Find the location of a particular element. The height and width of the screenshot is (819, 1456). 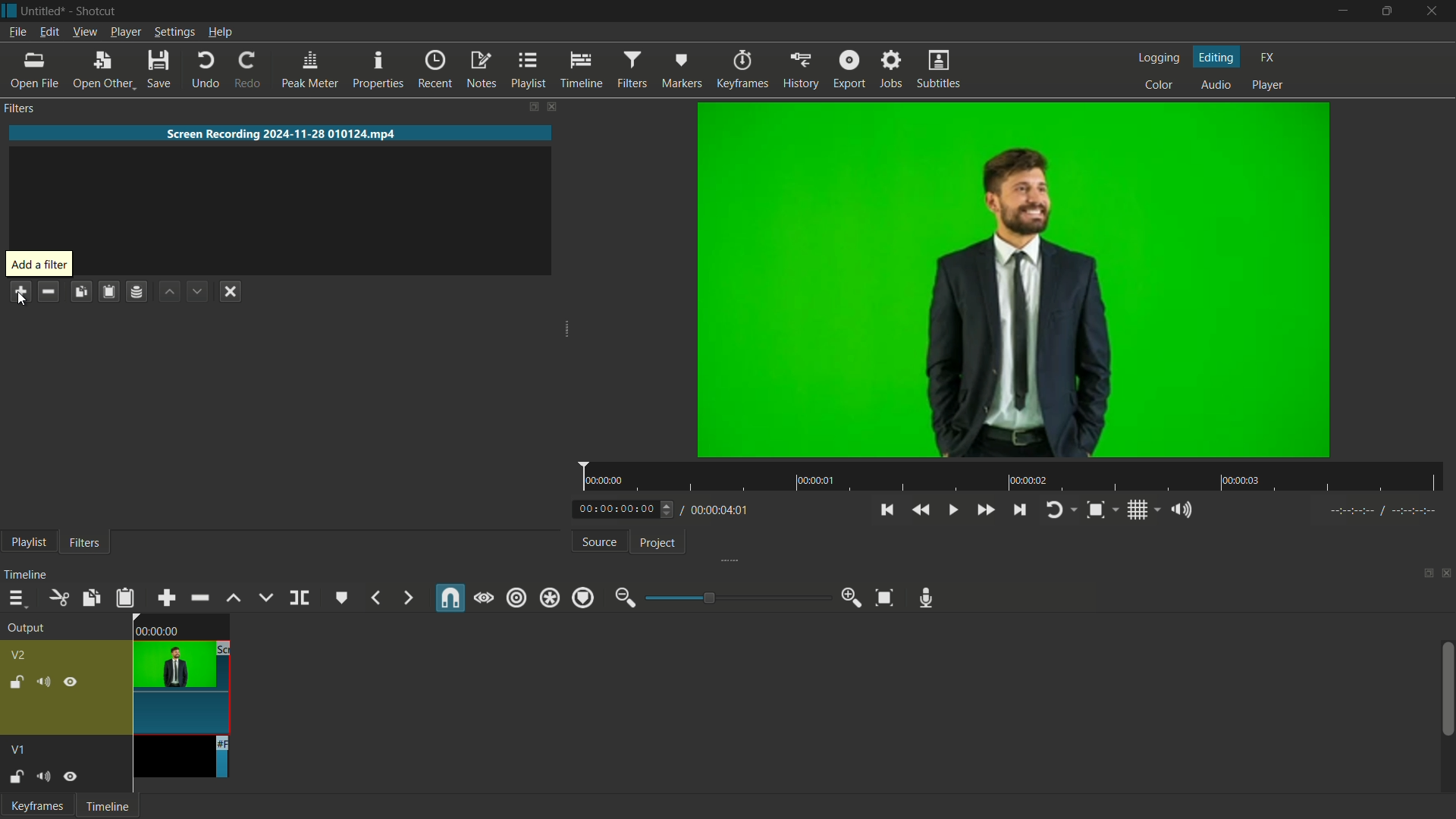

v2 is located at coordinates (22, 655).